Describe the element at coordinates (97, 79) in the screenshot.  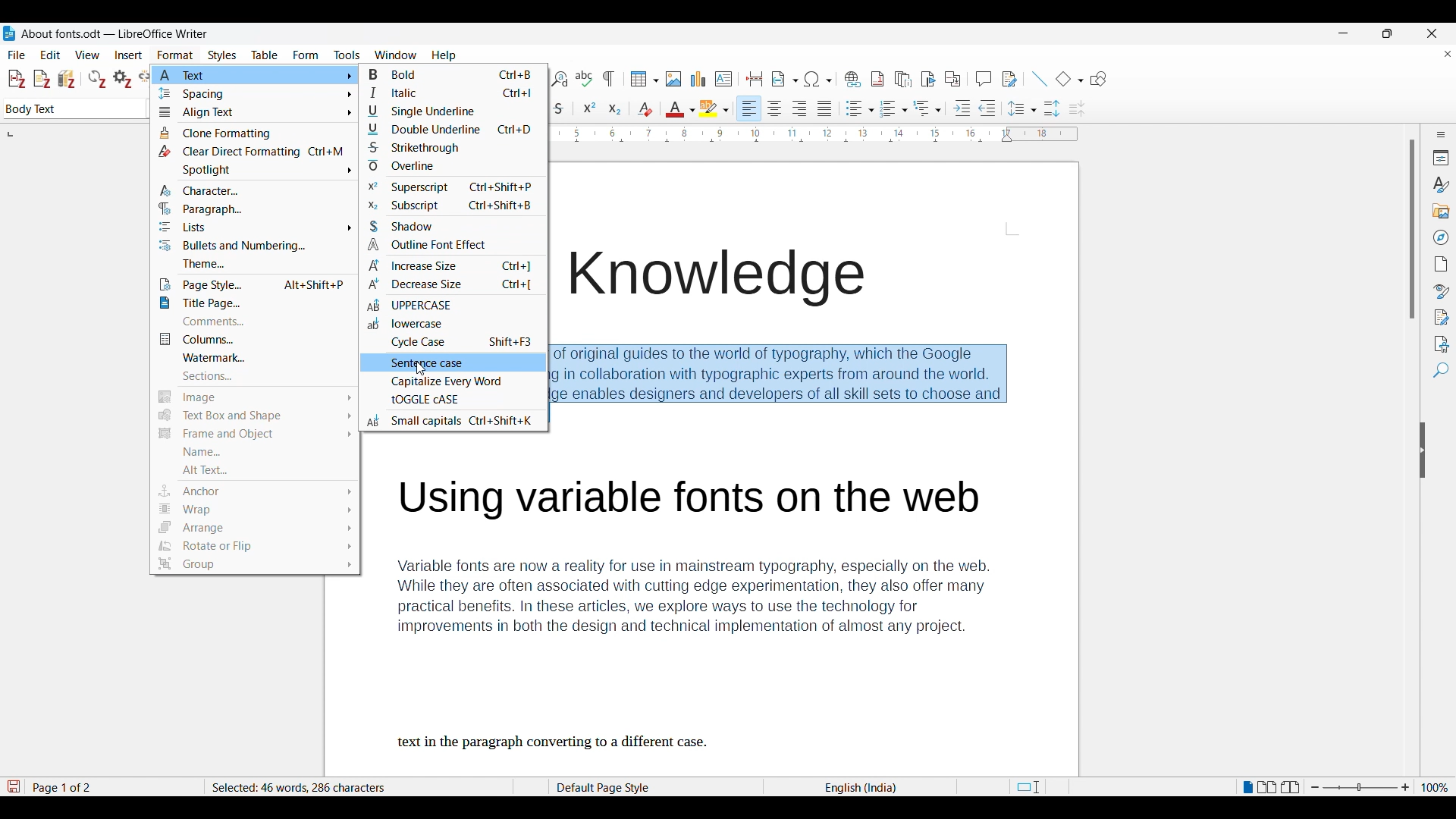
I see `Refresh ` at that location.